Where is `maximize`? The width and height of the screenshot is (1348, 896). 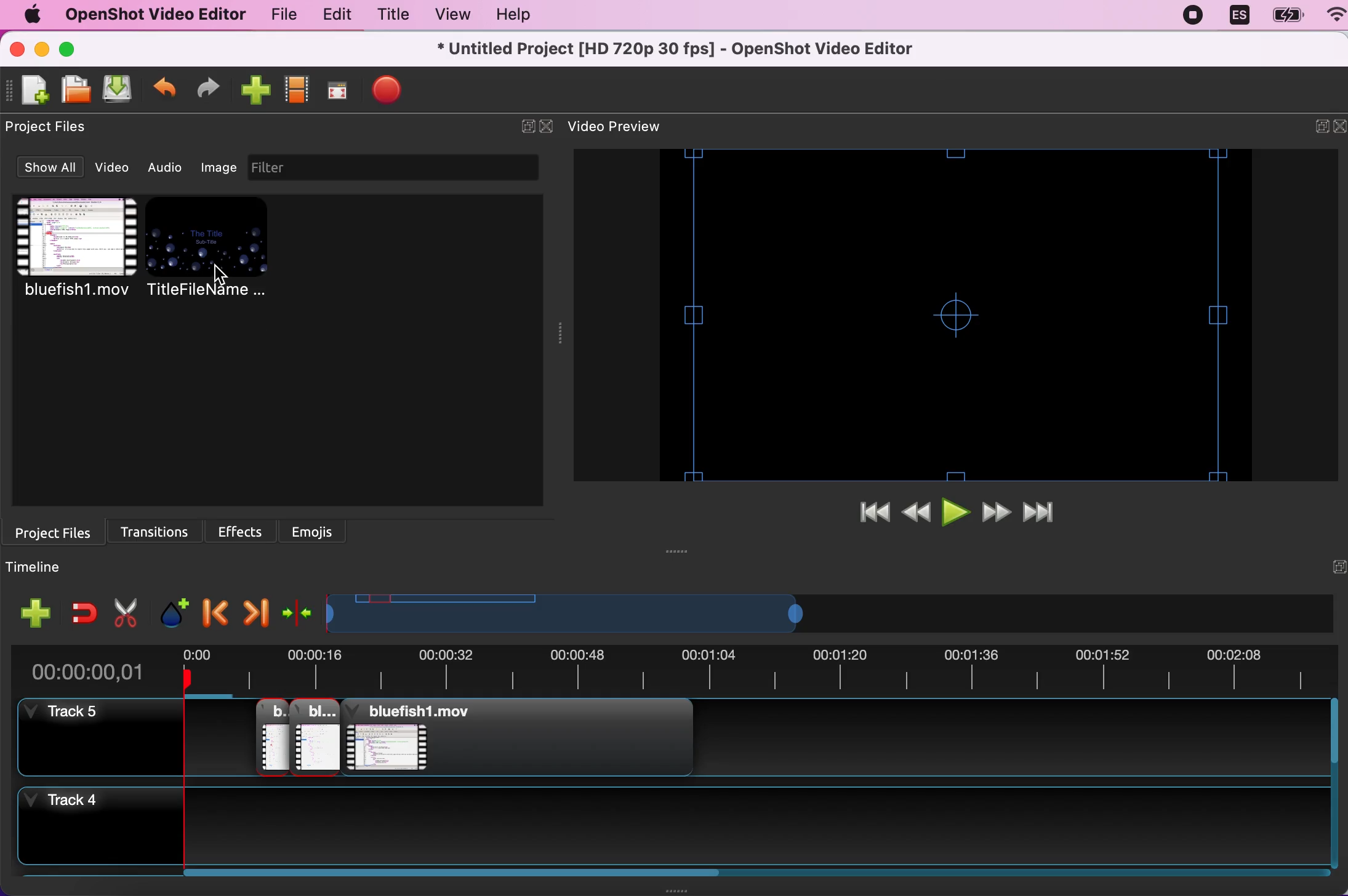
maximize is located at coordinates (74, 49).